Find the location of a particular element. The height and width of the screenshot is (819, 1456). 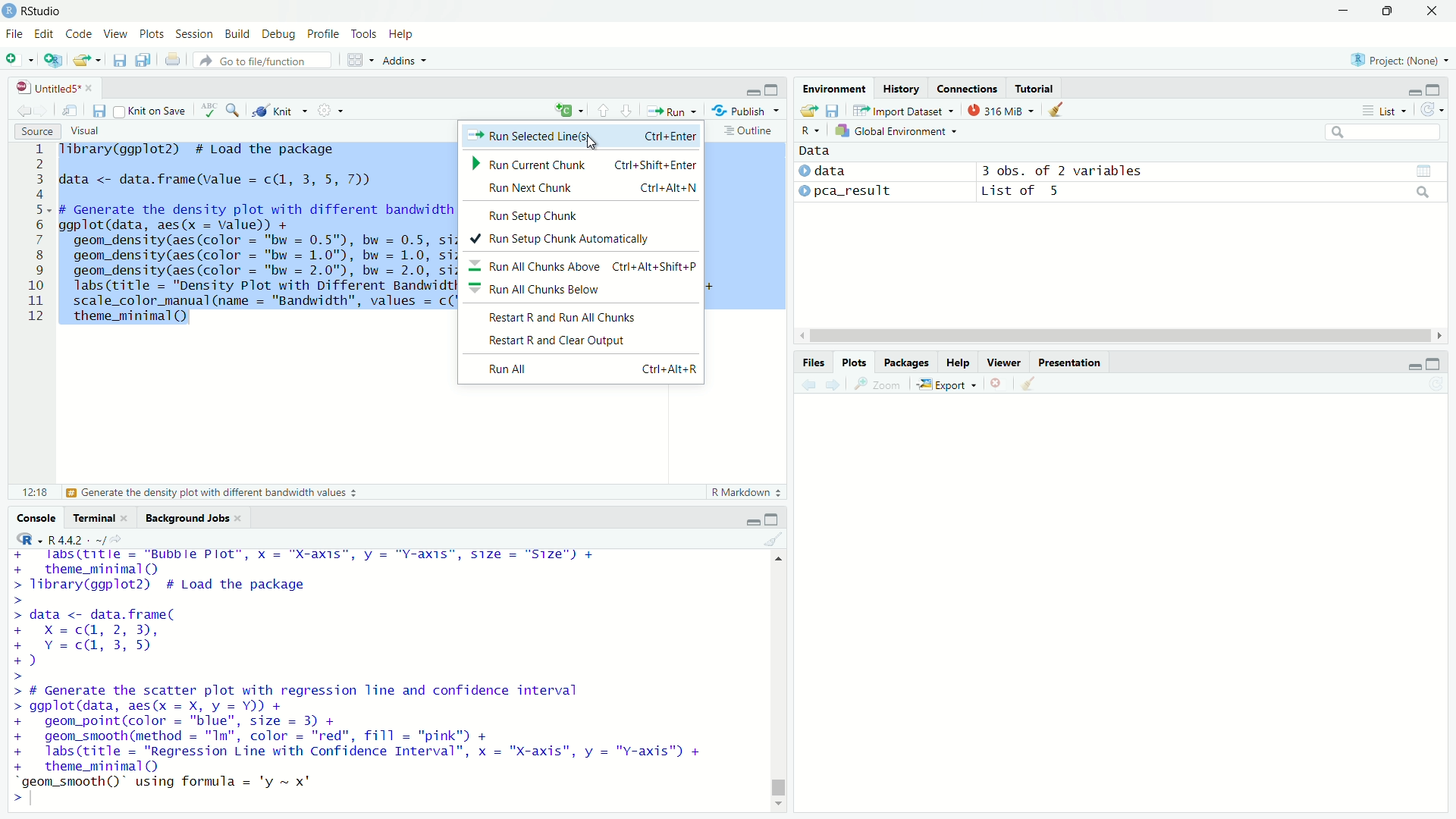

Remove current plot is located at coordinates (999, 384).